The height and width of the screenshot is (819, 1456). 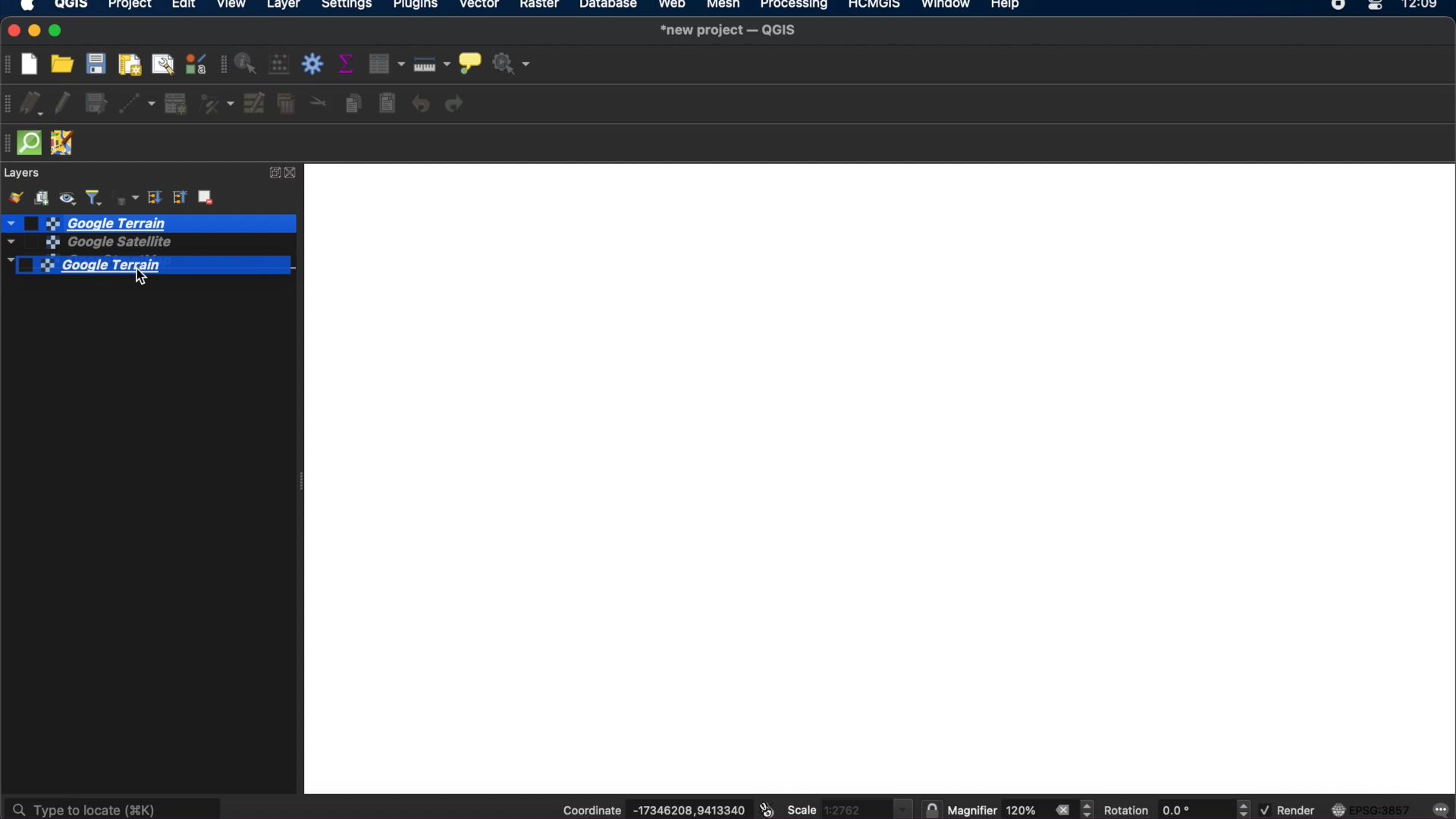 What do you see at coordinates (765, 810) in the screenshot?
I see `toggle extents and mouse position display` at bounding box center [765, 810].